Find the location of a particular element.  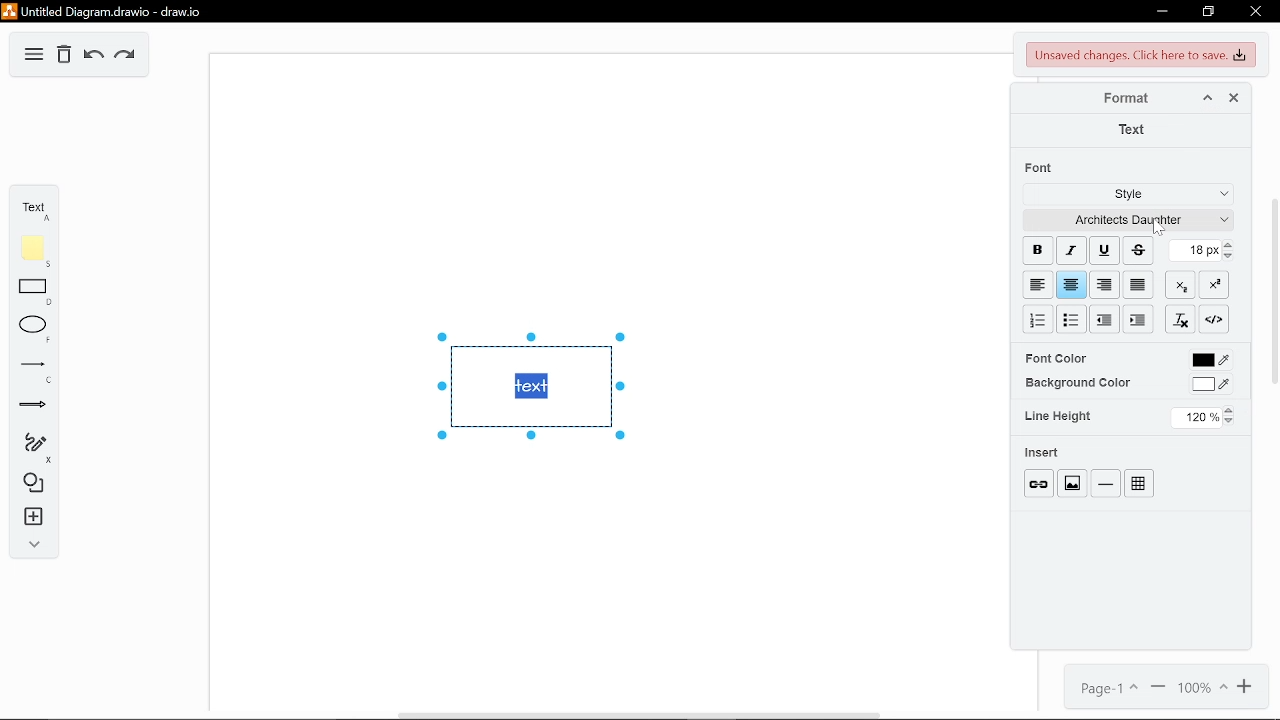

align left is located at coordinates (1036, 284).